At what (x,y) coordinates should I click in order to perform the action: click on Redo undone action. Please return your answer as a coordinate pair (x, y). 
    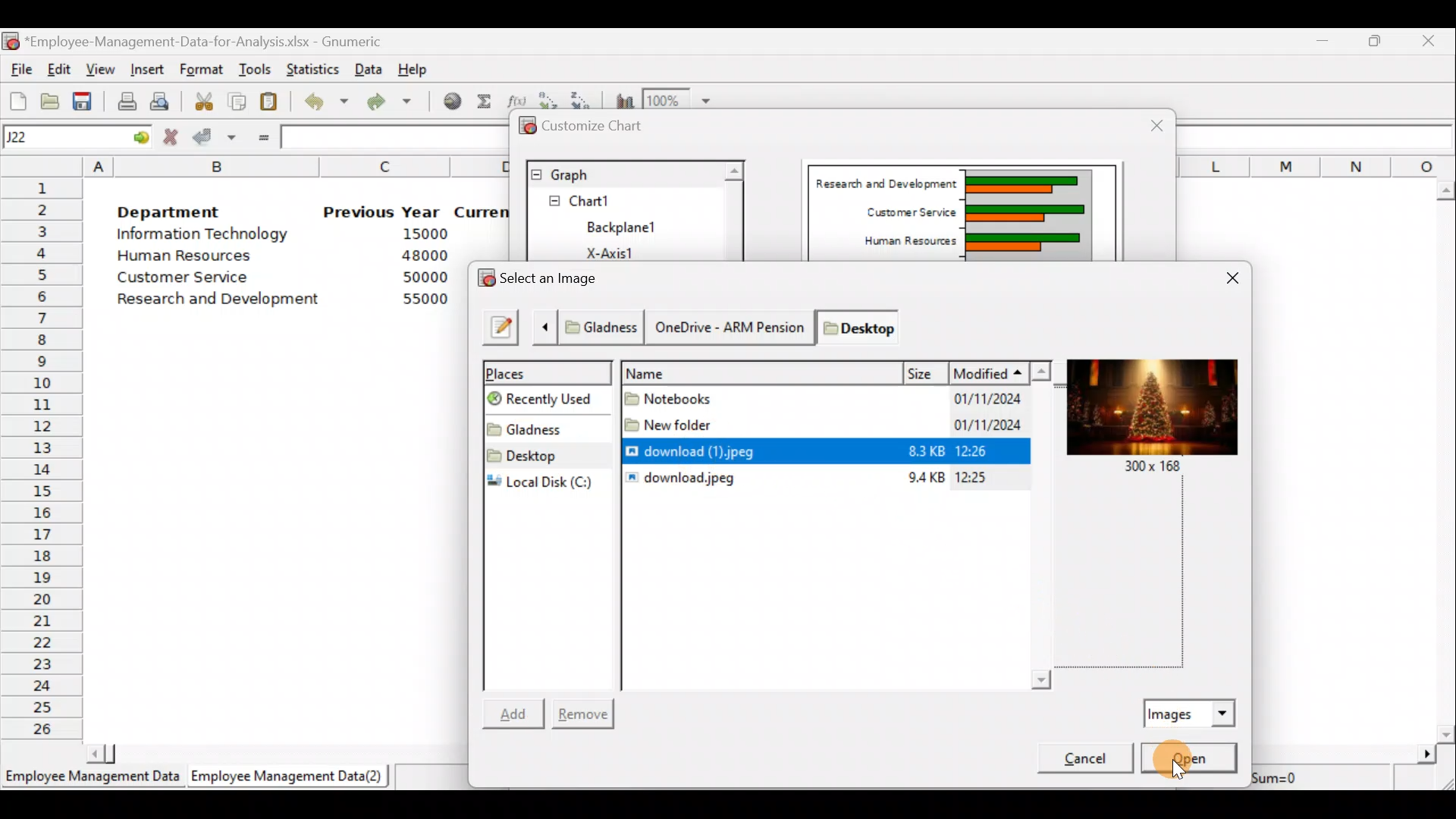
    Looking at the image, I should click on (397, 103).